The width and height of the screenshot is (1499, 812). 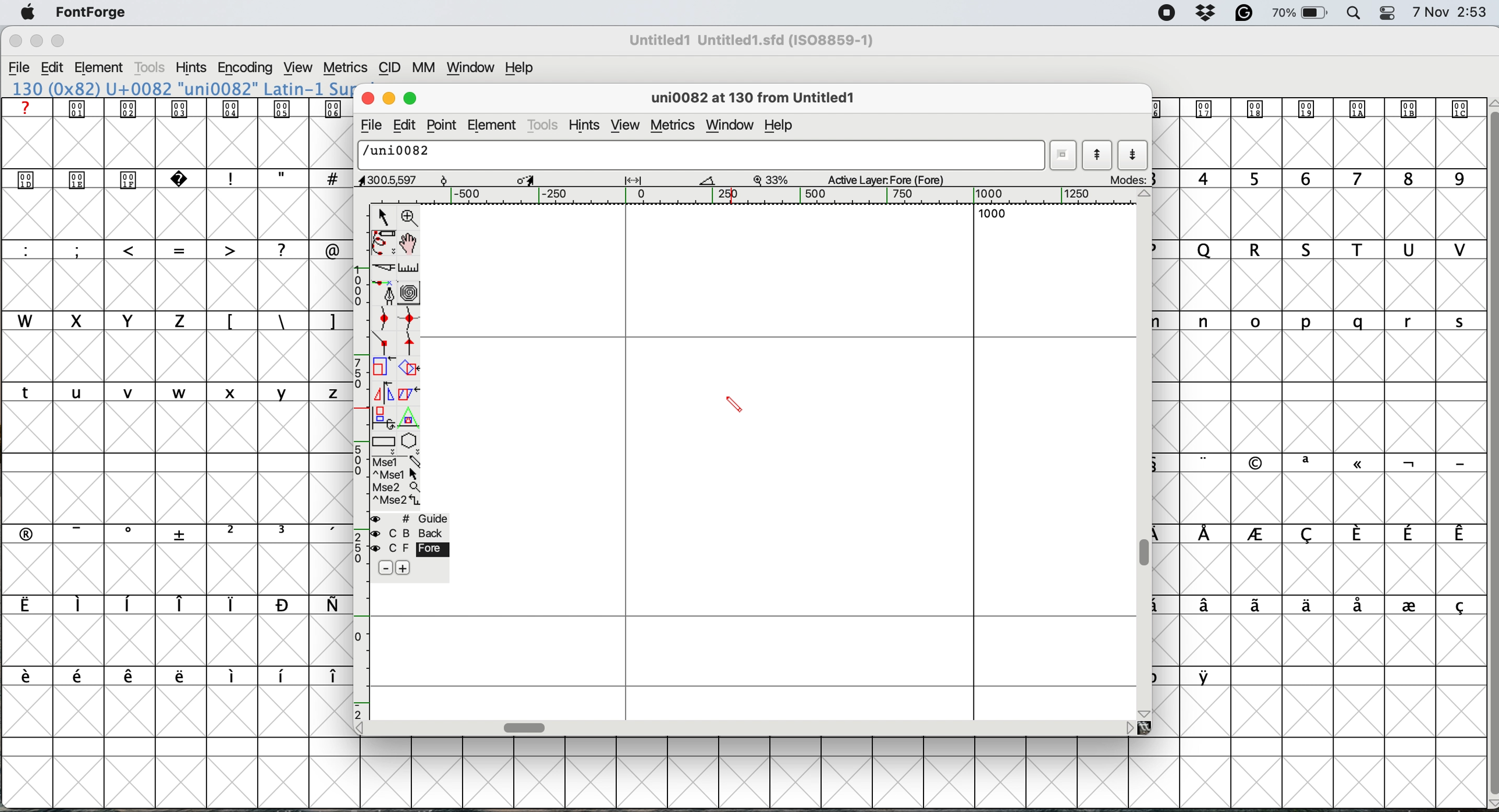 What do you see at coordinates (368, 99) in the screenshot?
I see `close` at bounding box center [368, 99].